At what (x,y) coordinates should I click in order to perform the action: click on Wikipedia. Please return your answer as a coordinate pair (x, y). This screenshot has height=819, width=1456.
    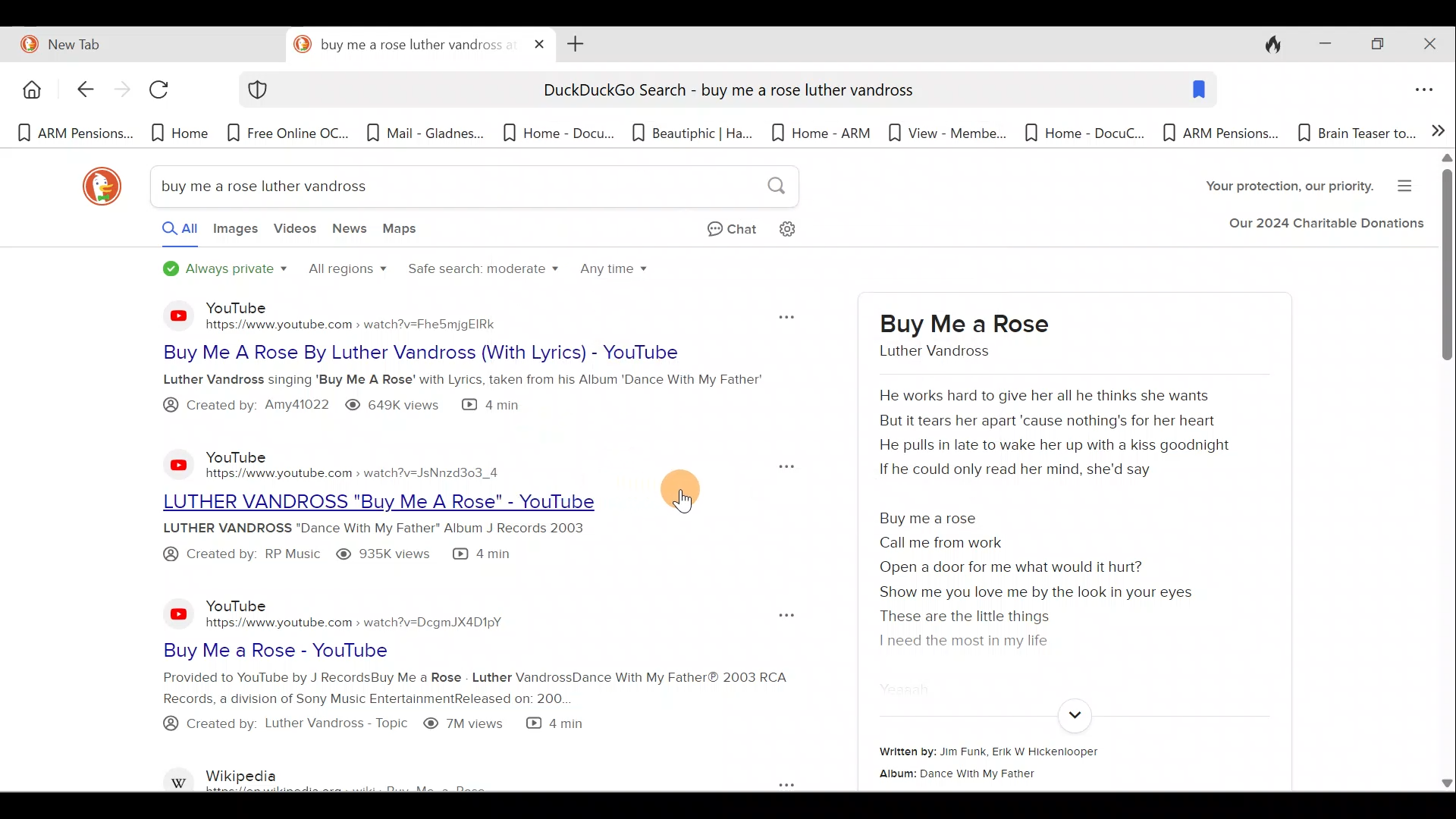
    Looking at the image, I should click on (384, 777).